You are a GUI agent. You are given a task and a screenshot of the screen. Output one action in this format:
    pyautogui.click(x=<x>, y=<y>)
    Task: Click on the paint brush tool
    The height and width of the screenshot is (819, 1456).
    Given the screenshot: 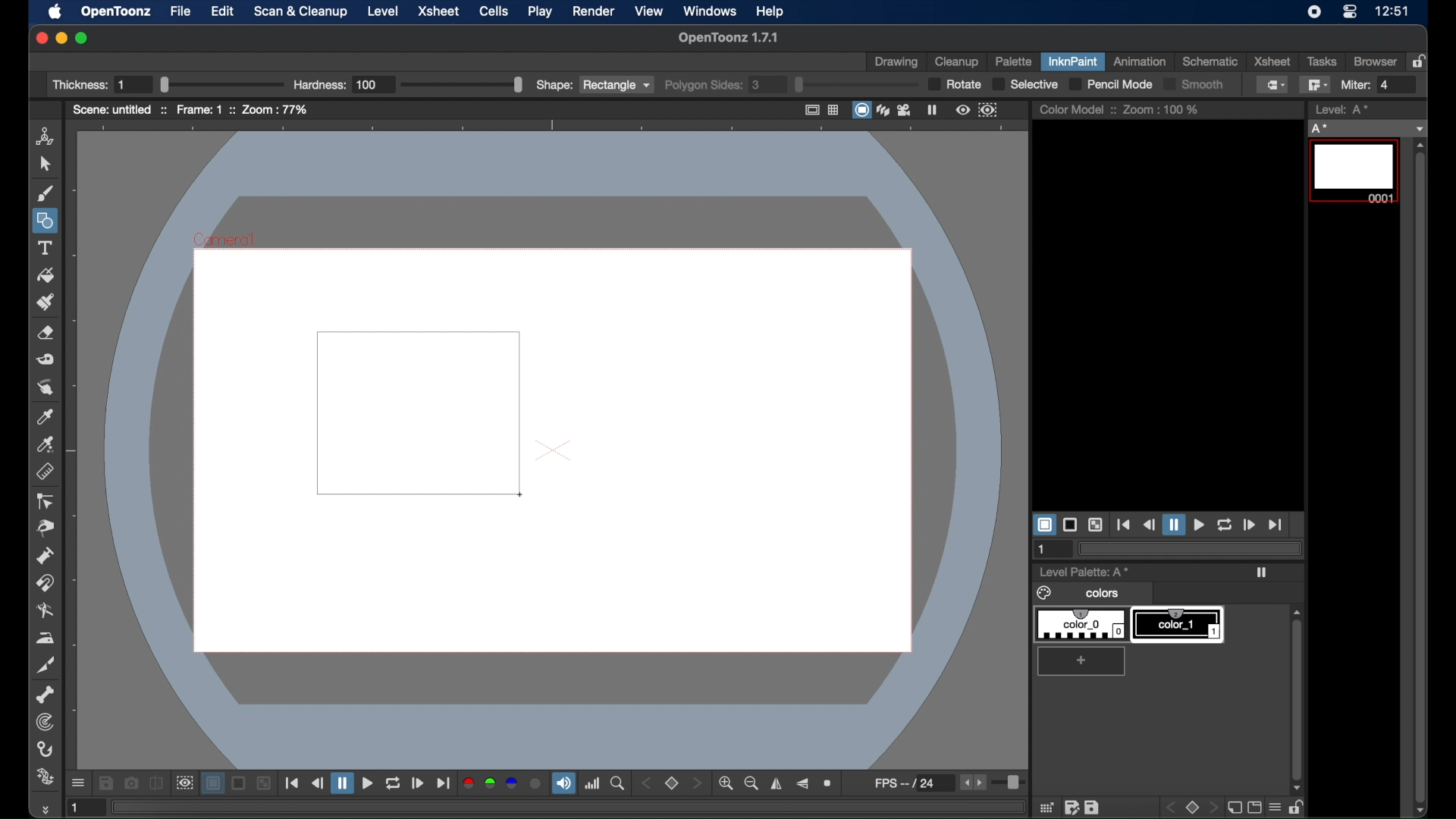 What is the action you would take?
    pyautogui.click(x=46, y=302)
    